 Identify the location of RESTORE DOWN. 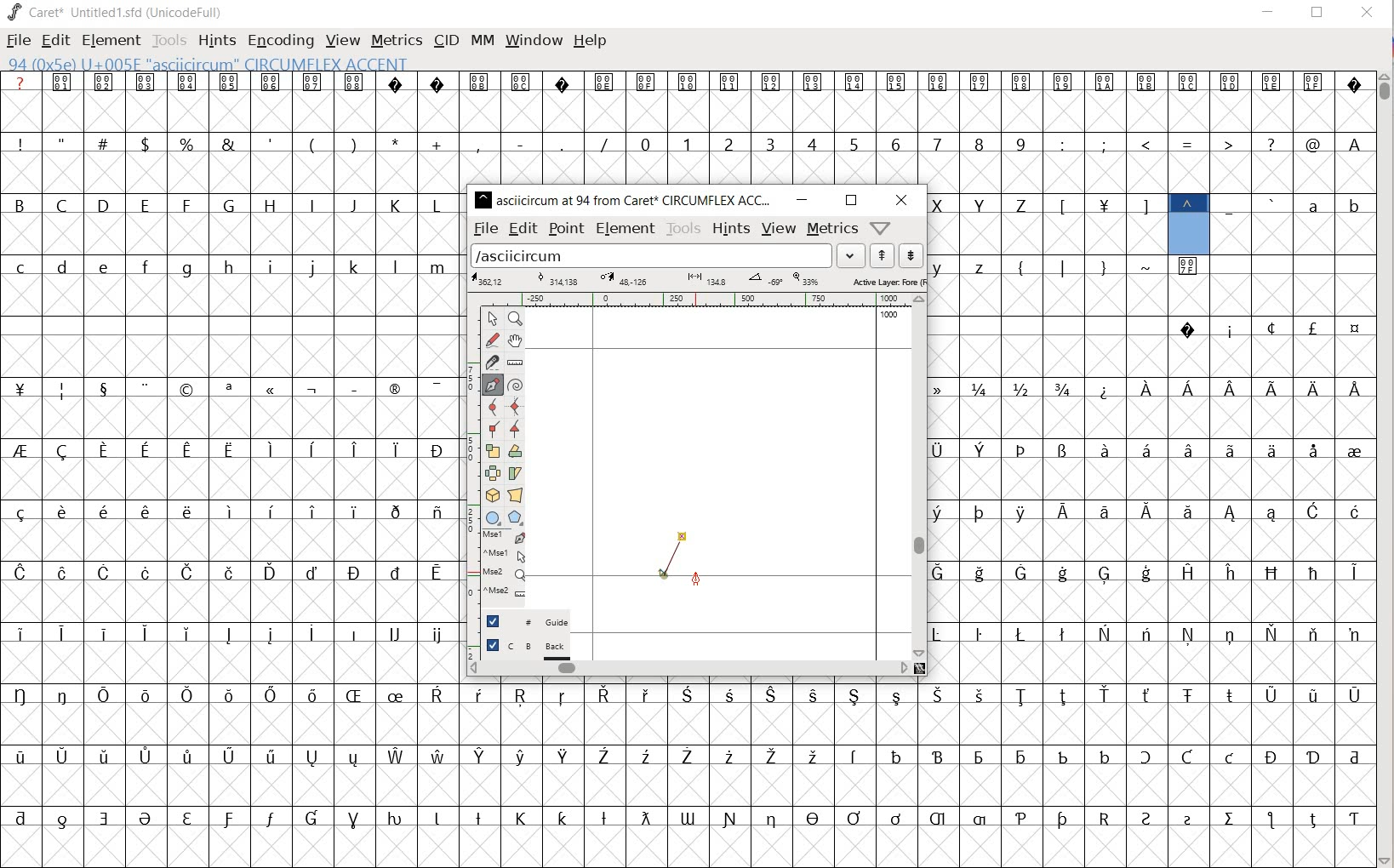
(1317, 16).